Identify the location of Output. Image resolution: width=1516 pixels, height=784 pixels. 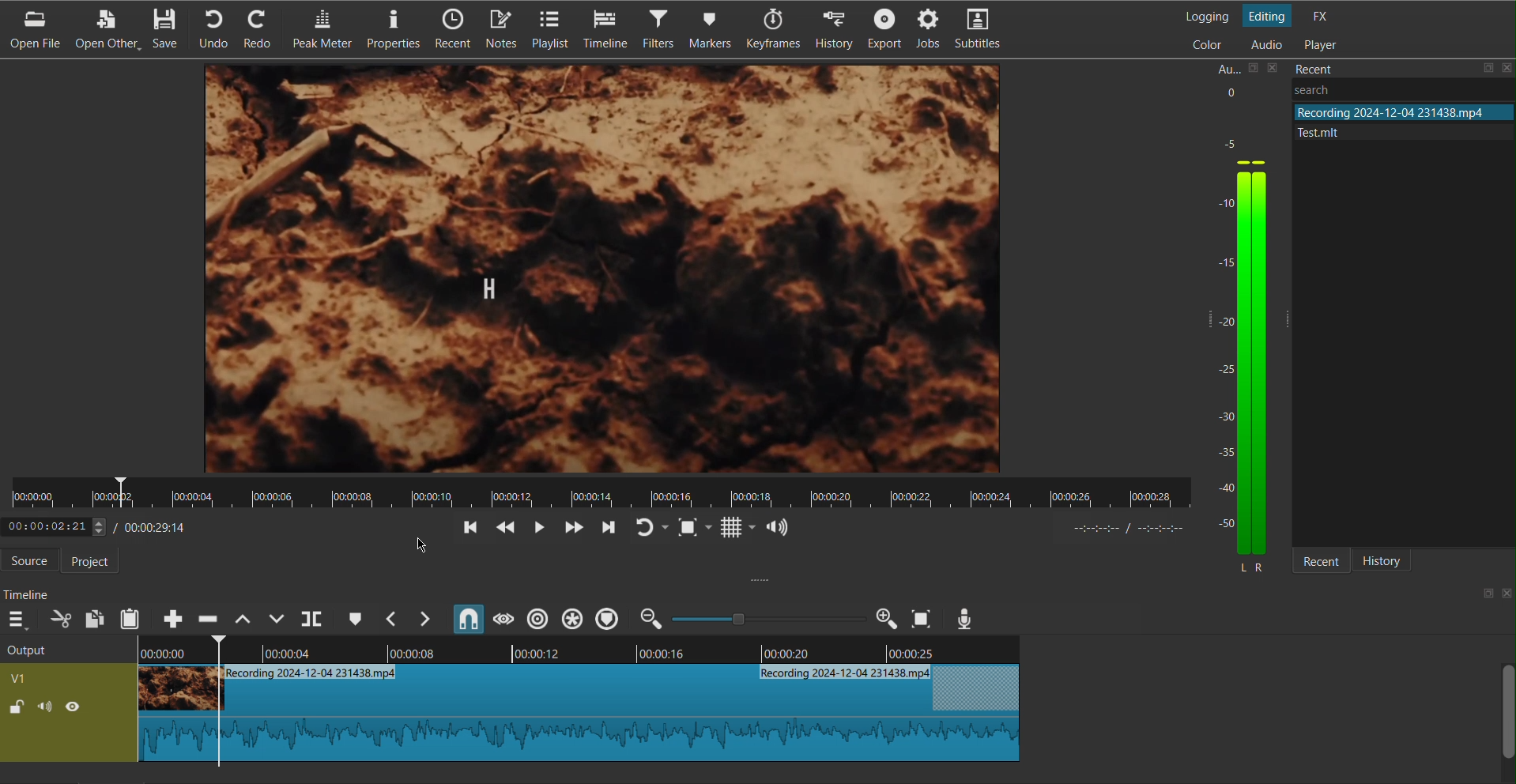
(62, 650).